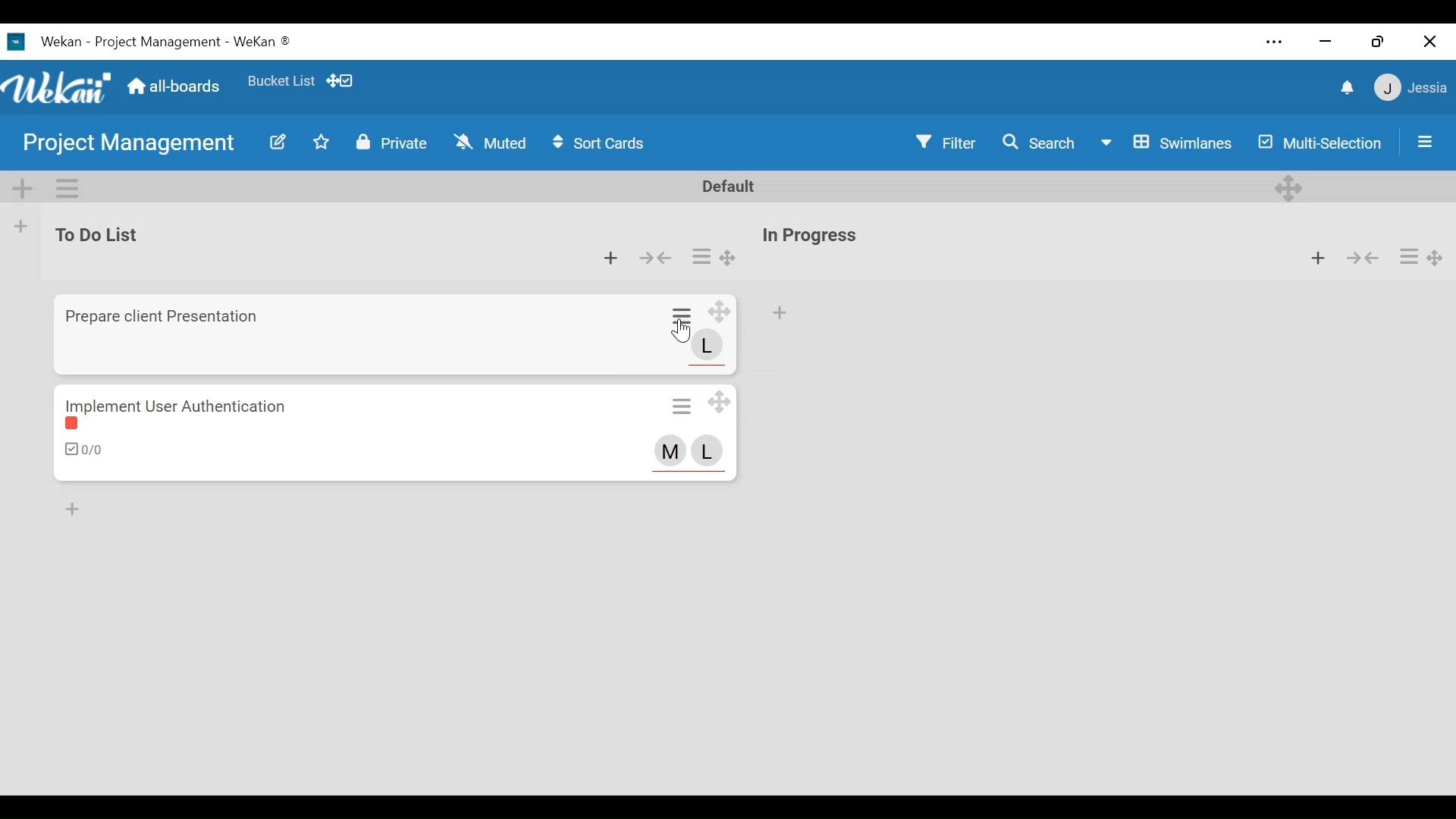  Describe the element at coordinates (682, 405) in the screenshot. I see `Card actions` at that location.